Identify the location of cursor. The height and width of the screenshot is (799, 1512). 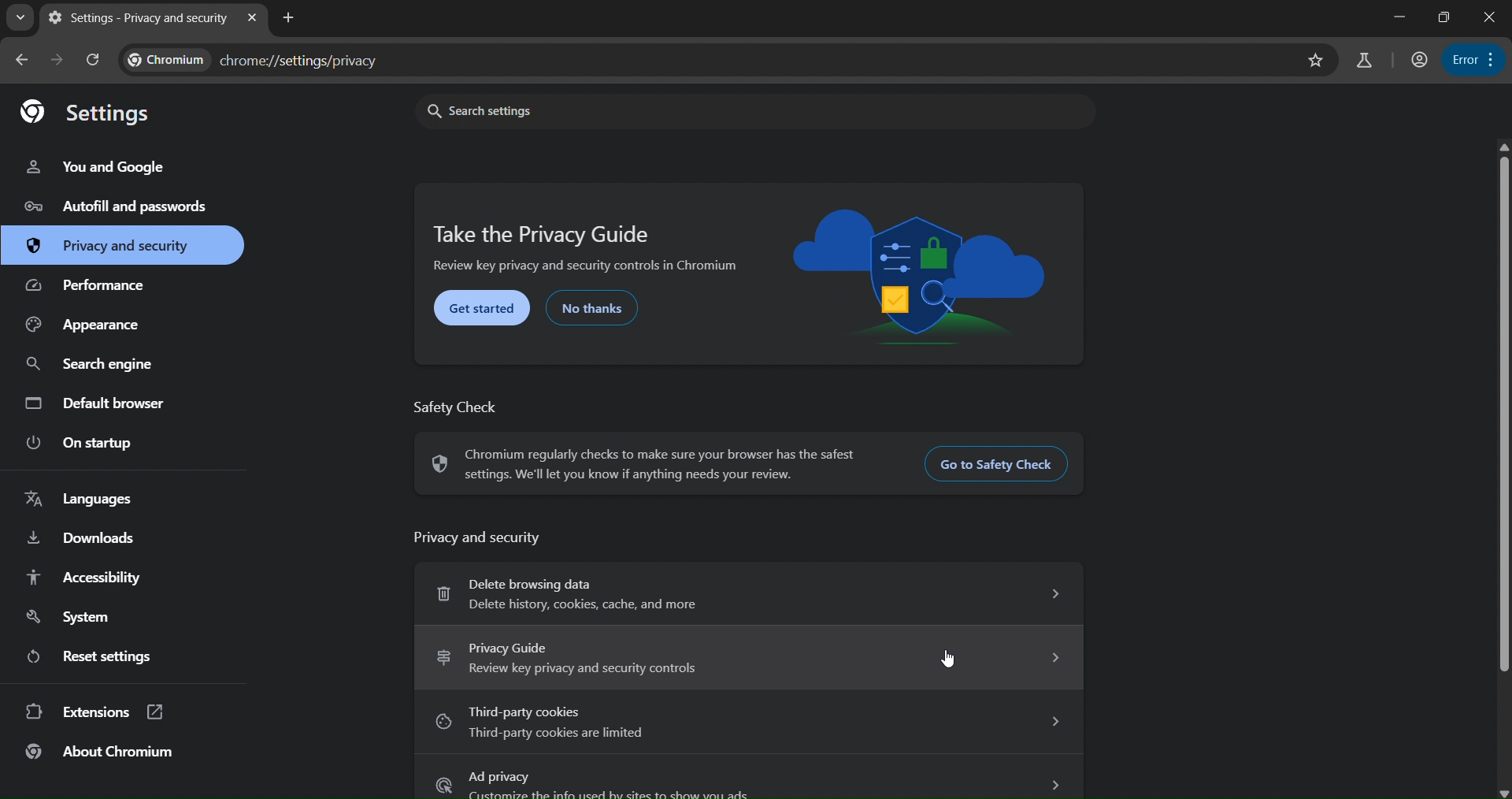
(953, 657).